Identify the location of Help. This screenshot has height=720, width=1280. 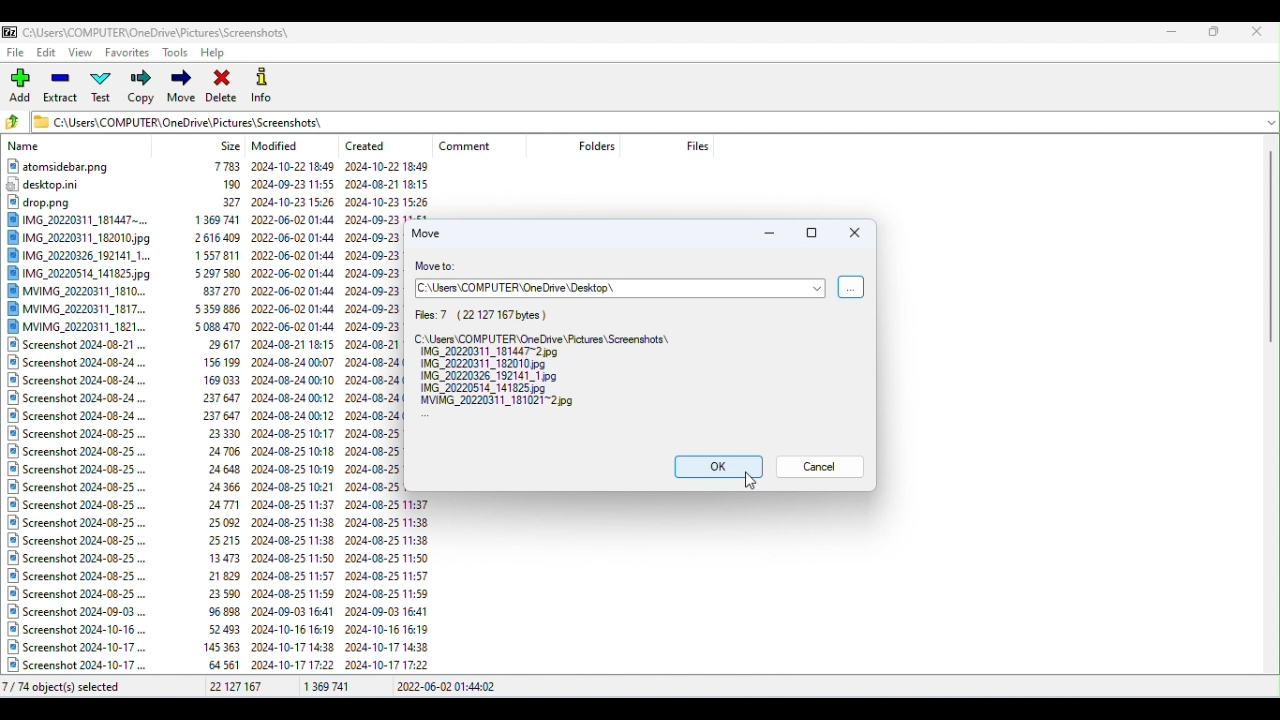
(218, 51).